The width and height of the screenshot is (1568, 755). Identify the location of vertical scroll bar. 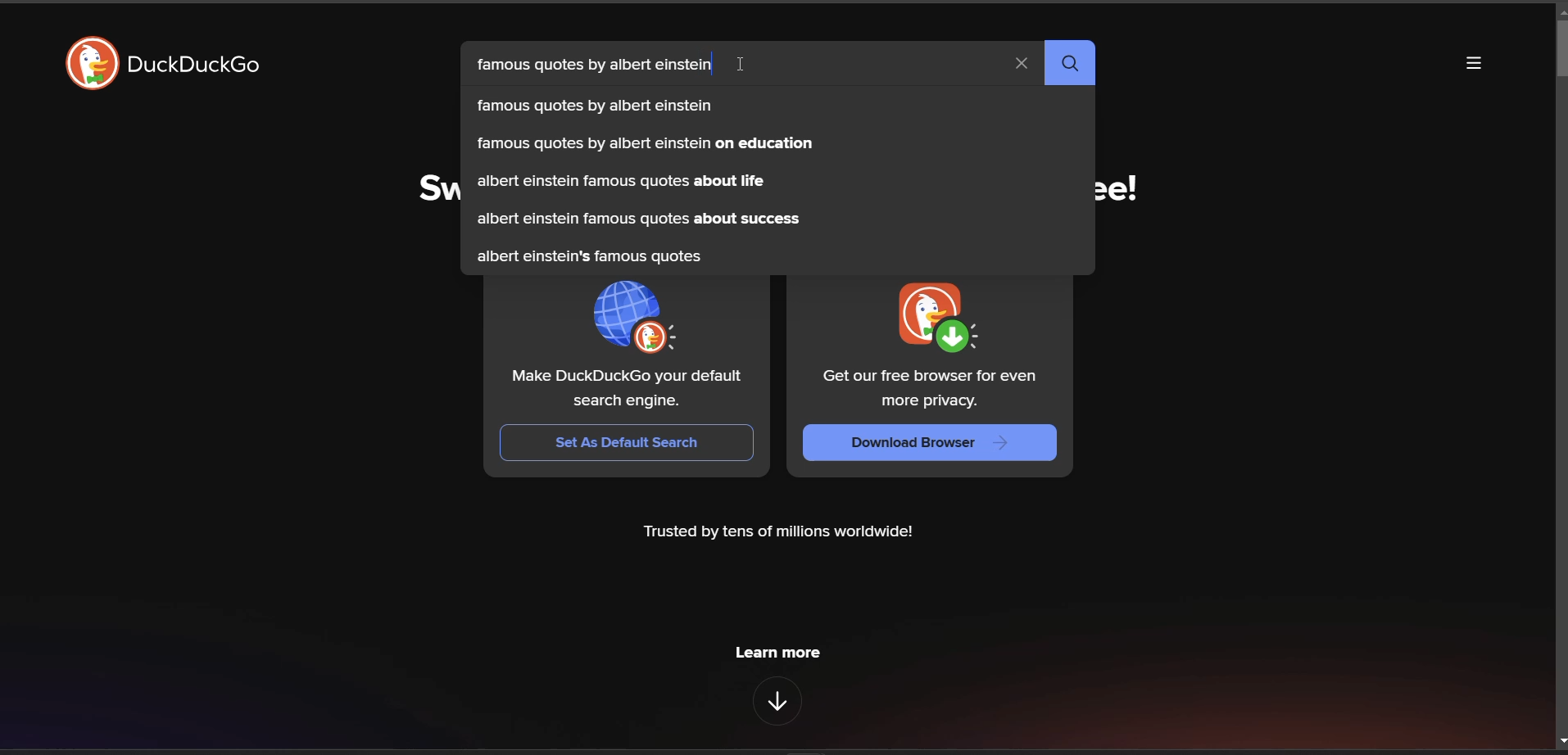
(1558, 52).